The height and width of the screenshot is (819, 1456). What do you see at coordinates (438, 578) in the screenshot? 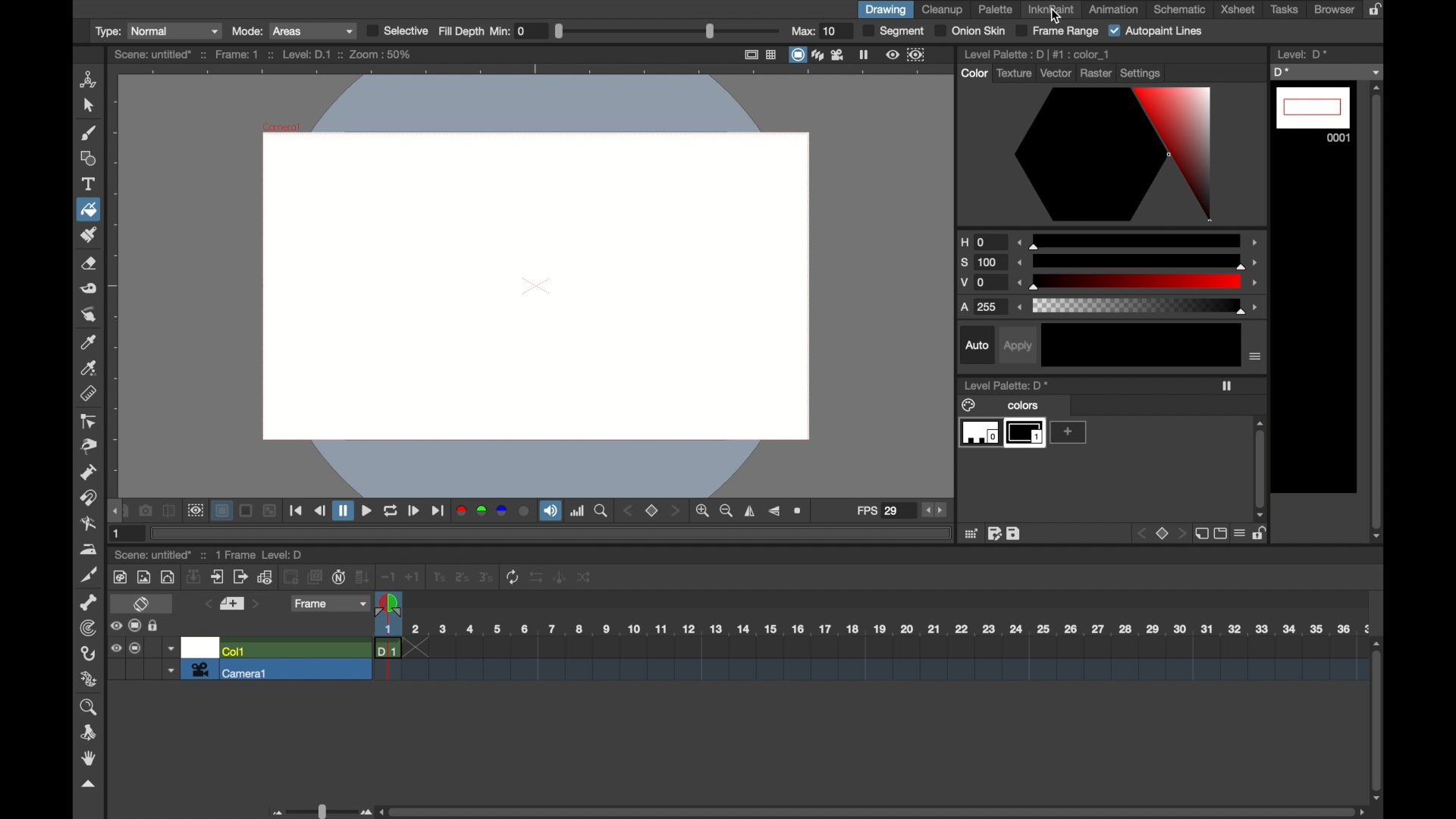
I see `1` at bounding box center [438, 578].